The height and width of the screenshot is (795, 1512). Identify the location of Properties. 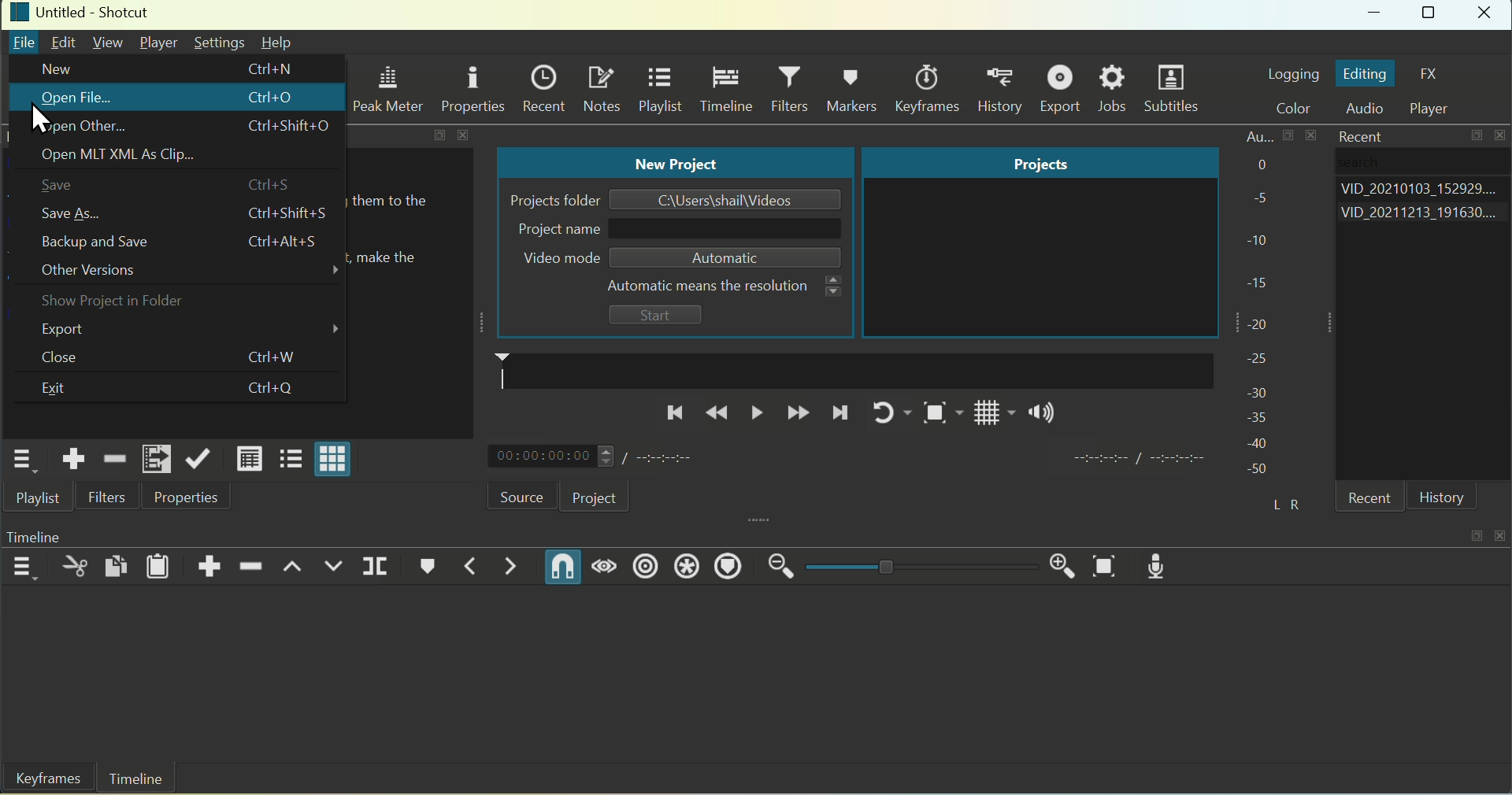
(472, 87).